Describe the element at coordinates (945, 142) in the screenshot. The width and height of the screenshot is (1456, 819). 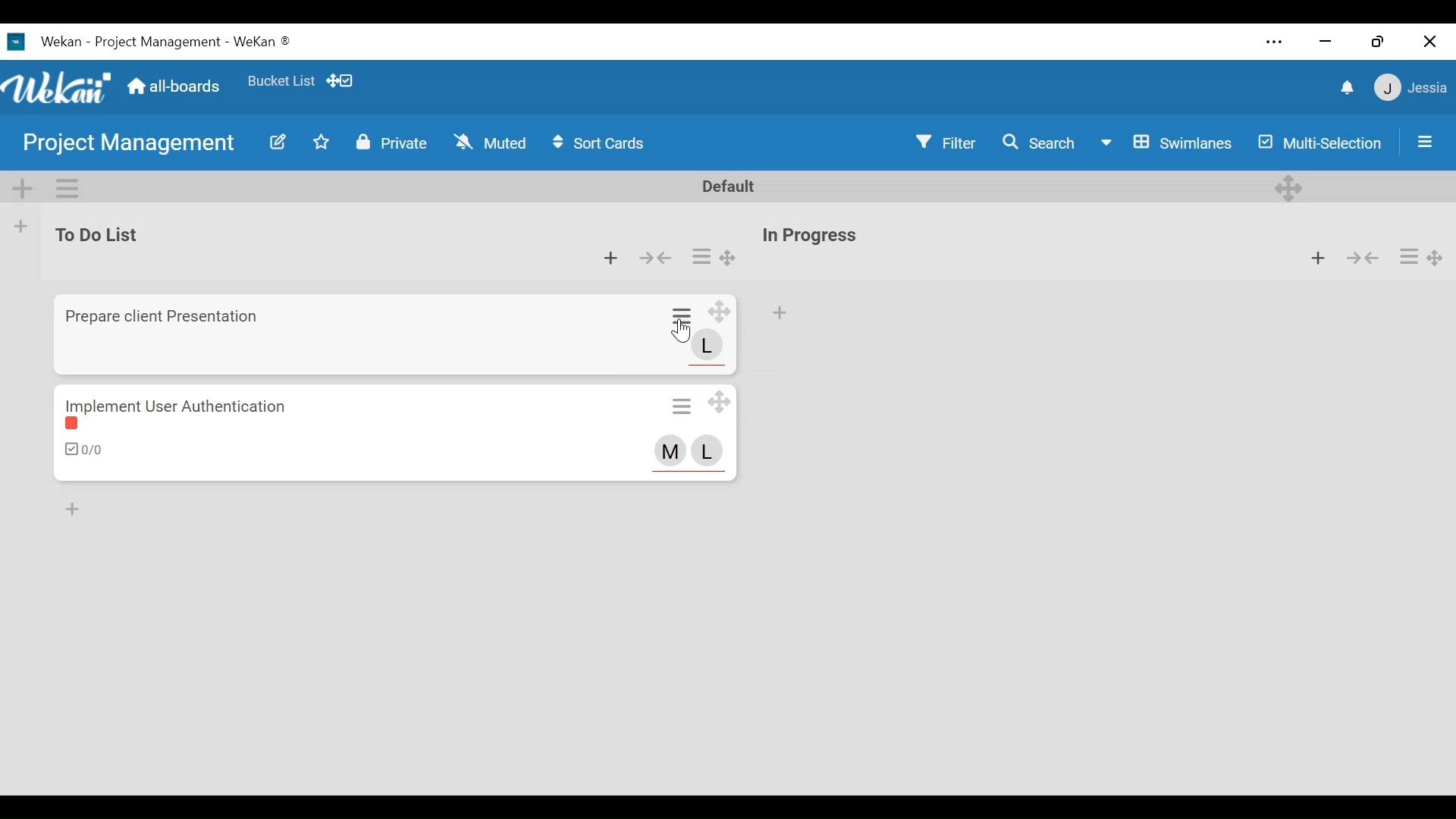
I see `Filter` at that location.